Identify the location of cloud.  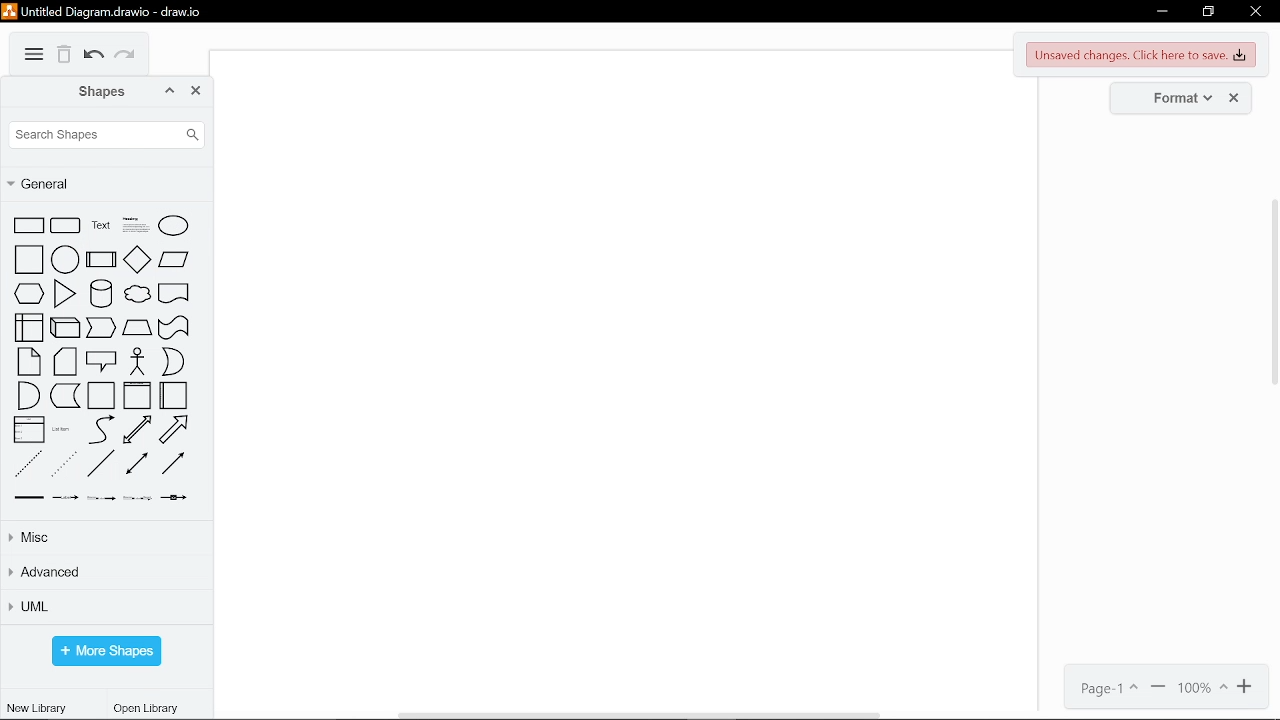
(137, 296).